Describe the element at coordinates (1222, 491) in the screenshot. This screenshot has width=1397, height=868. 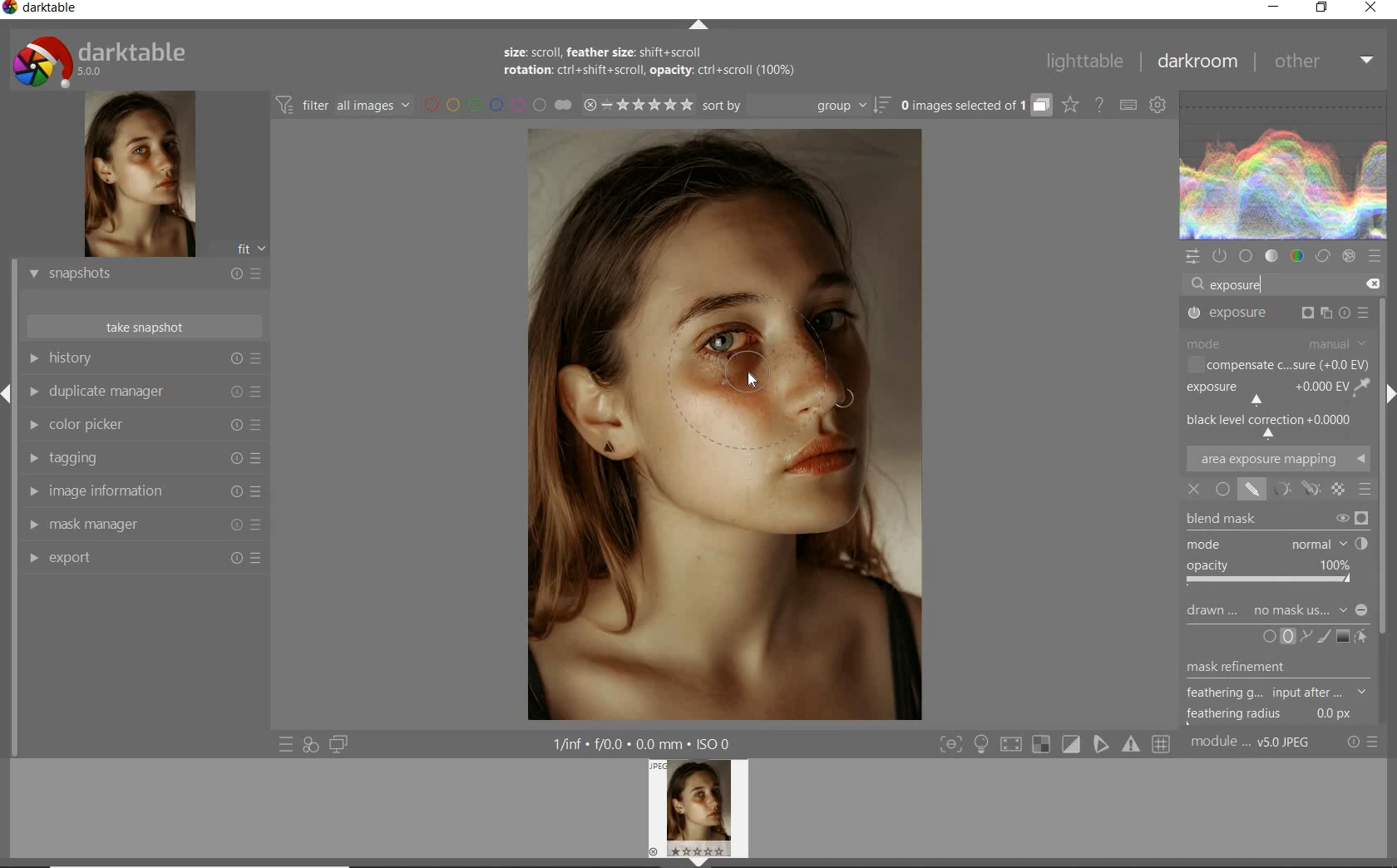
I see `UNIFORMLY` at that location.